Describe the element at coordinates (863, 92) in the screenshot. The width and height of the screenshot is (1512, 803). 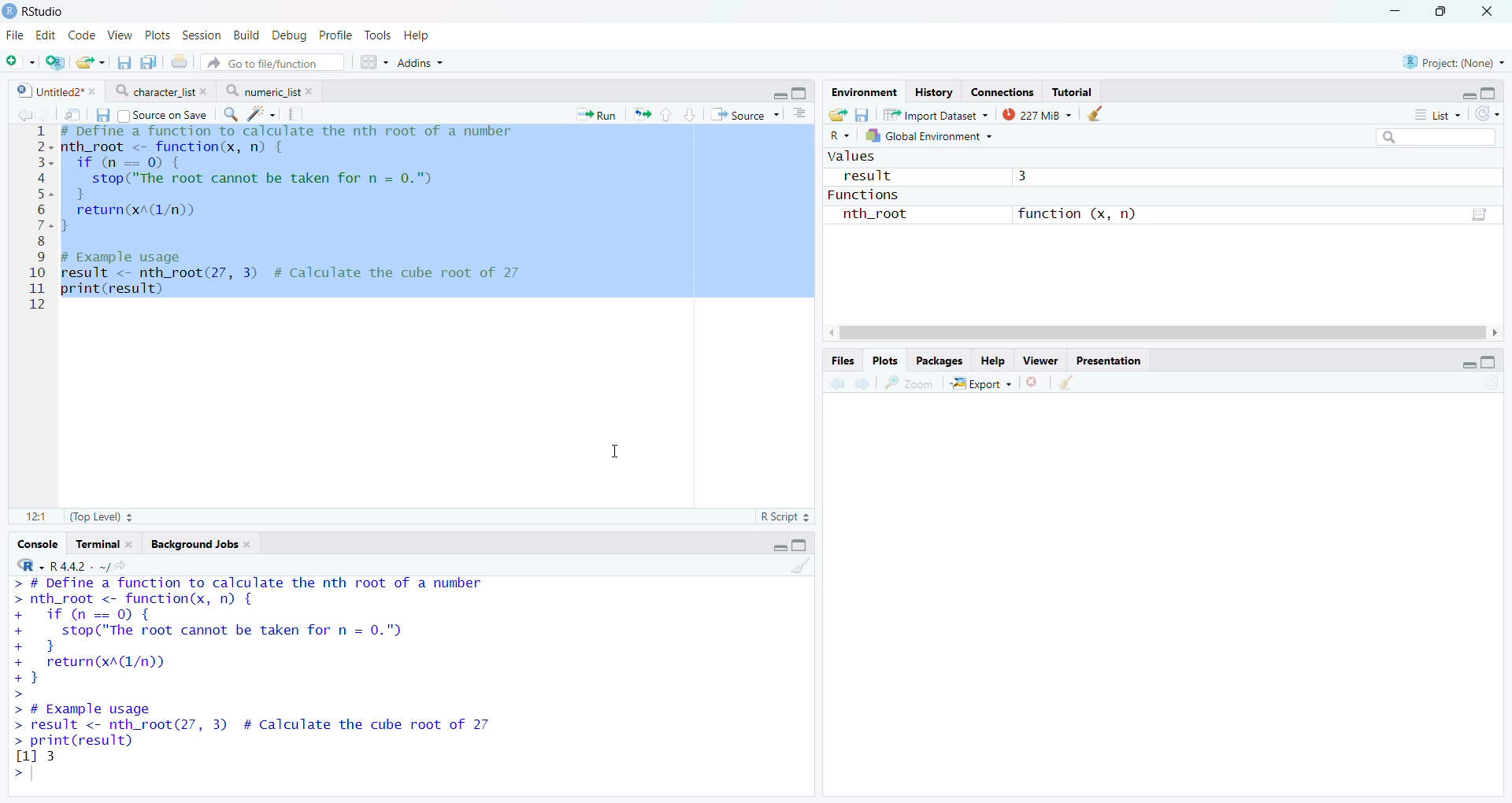
I see `Environment` at that location.